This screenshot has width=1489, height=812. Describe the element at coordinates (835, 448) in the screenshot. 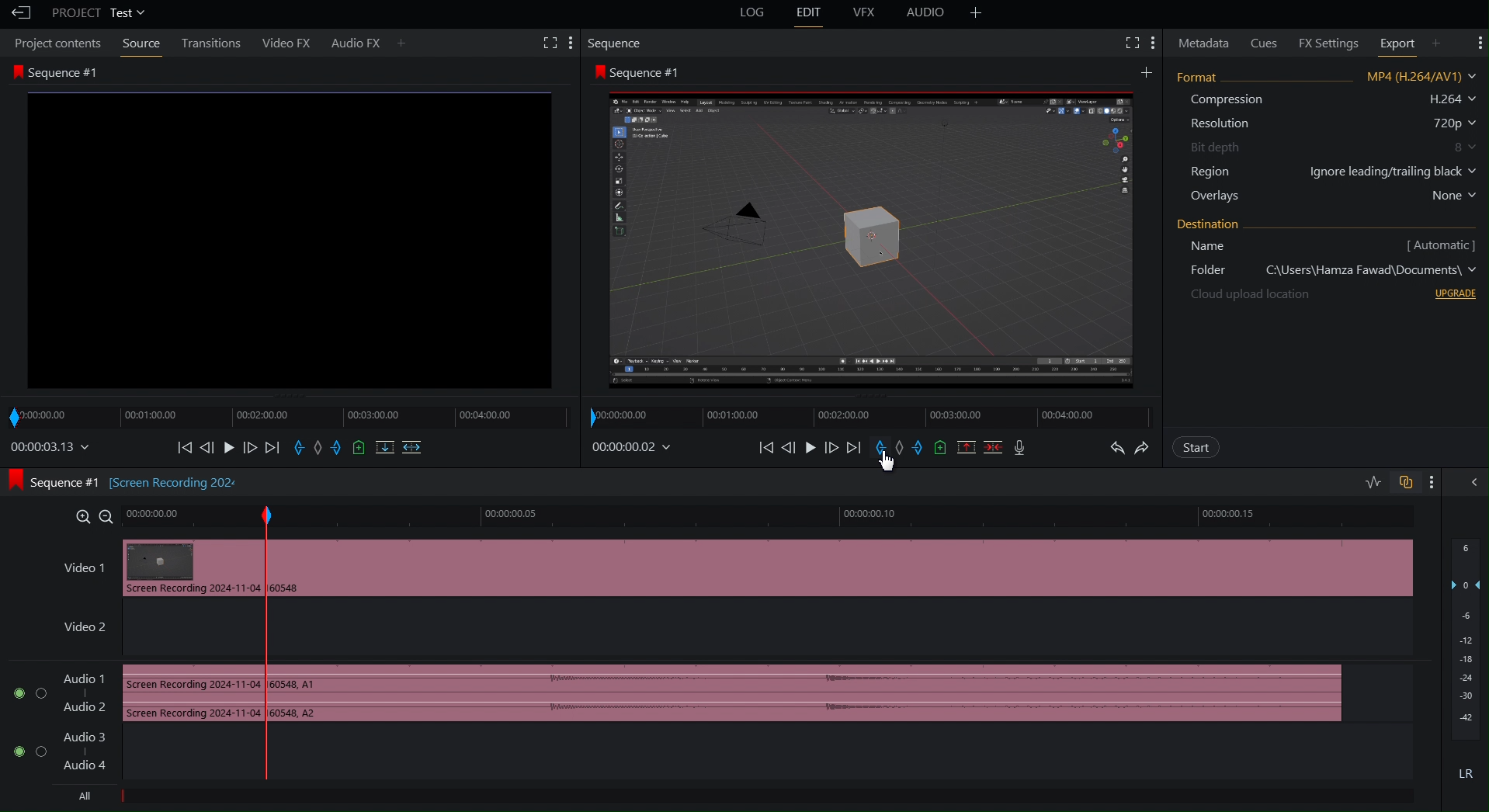

I see `Move Forward` at that location.